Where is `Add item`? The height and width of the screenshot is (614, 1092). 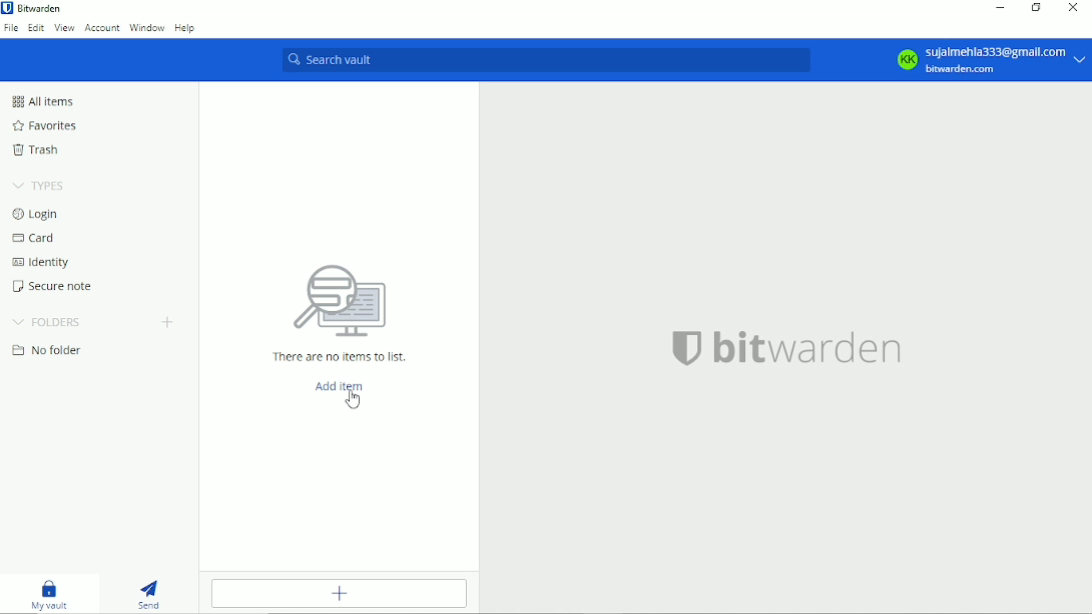 Add item is located at coordinates (337, 385).